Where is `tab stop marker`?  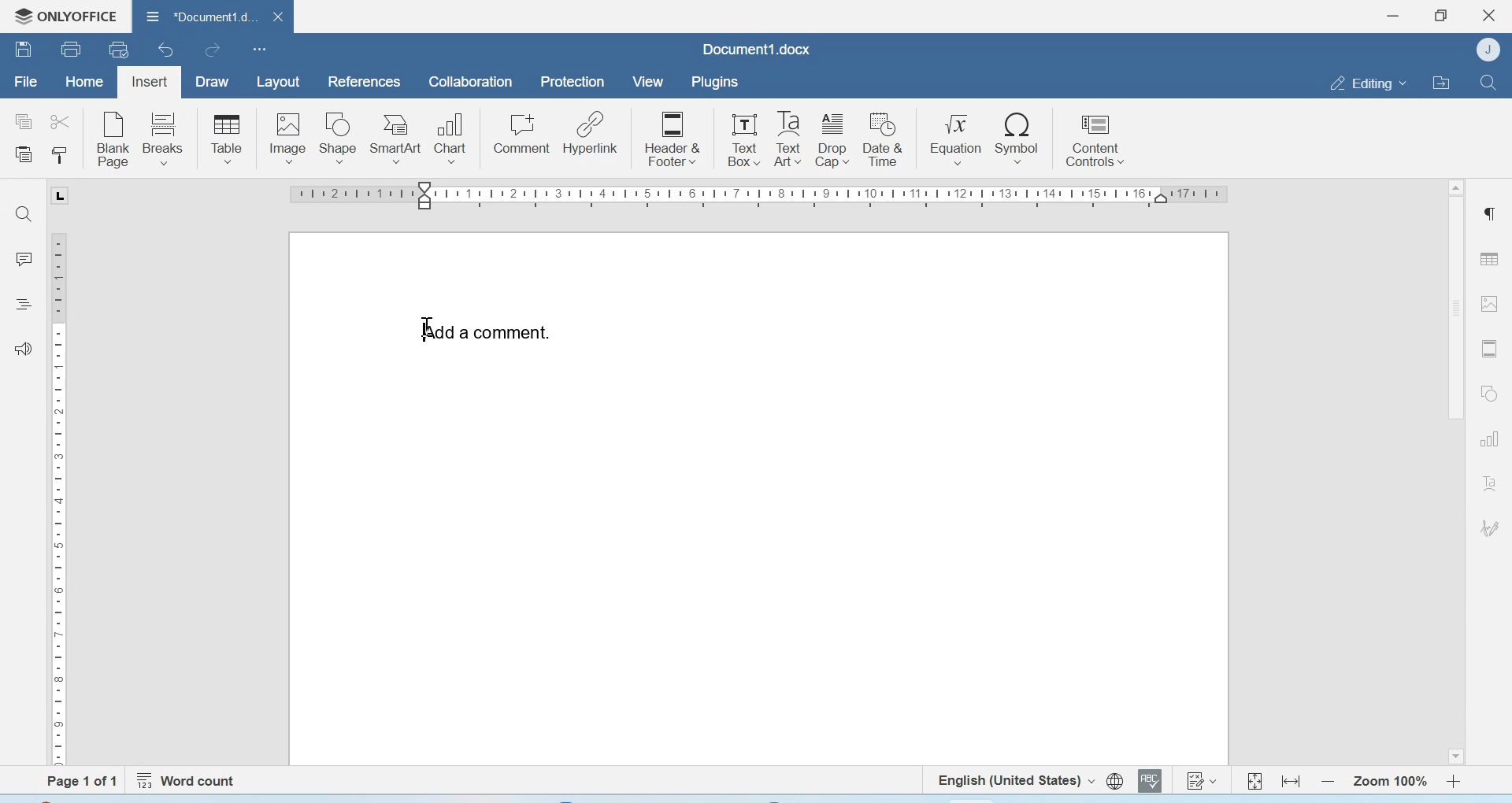
tab stop marker is located at coordinates (63, 195).